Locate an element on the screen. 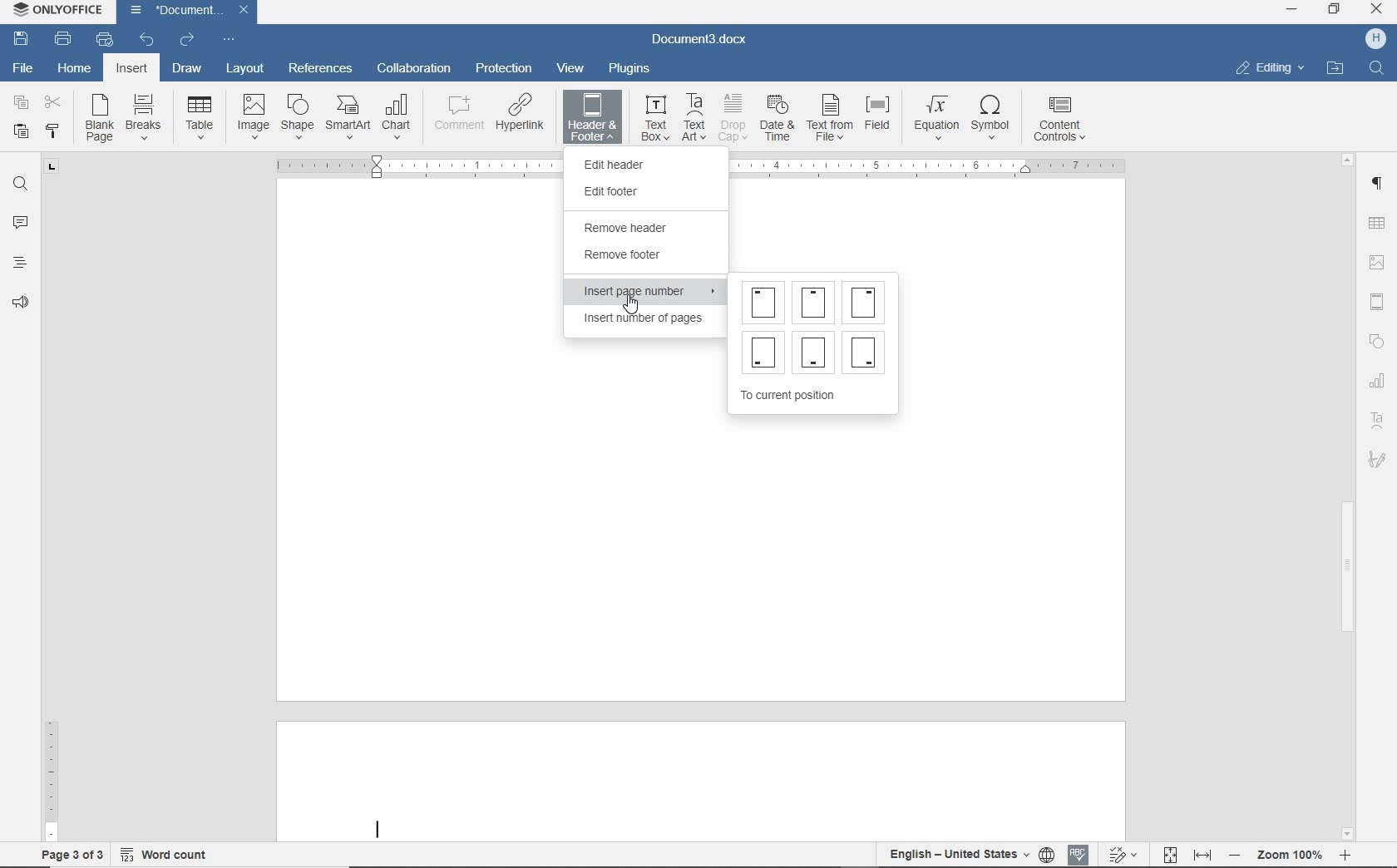 This screenshot has width=1397, height=868. REMOVE FOOTER is located at coordinates (632, 257).